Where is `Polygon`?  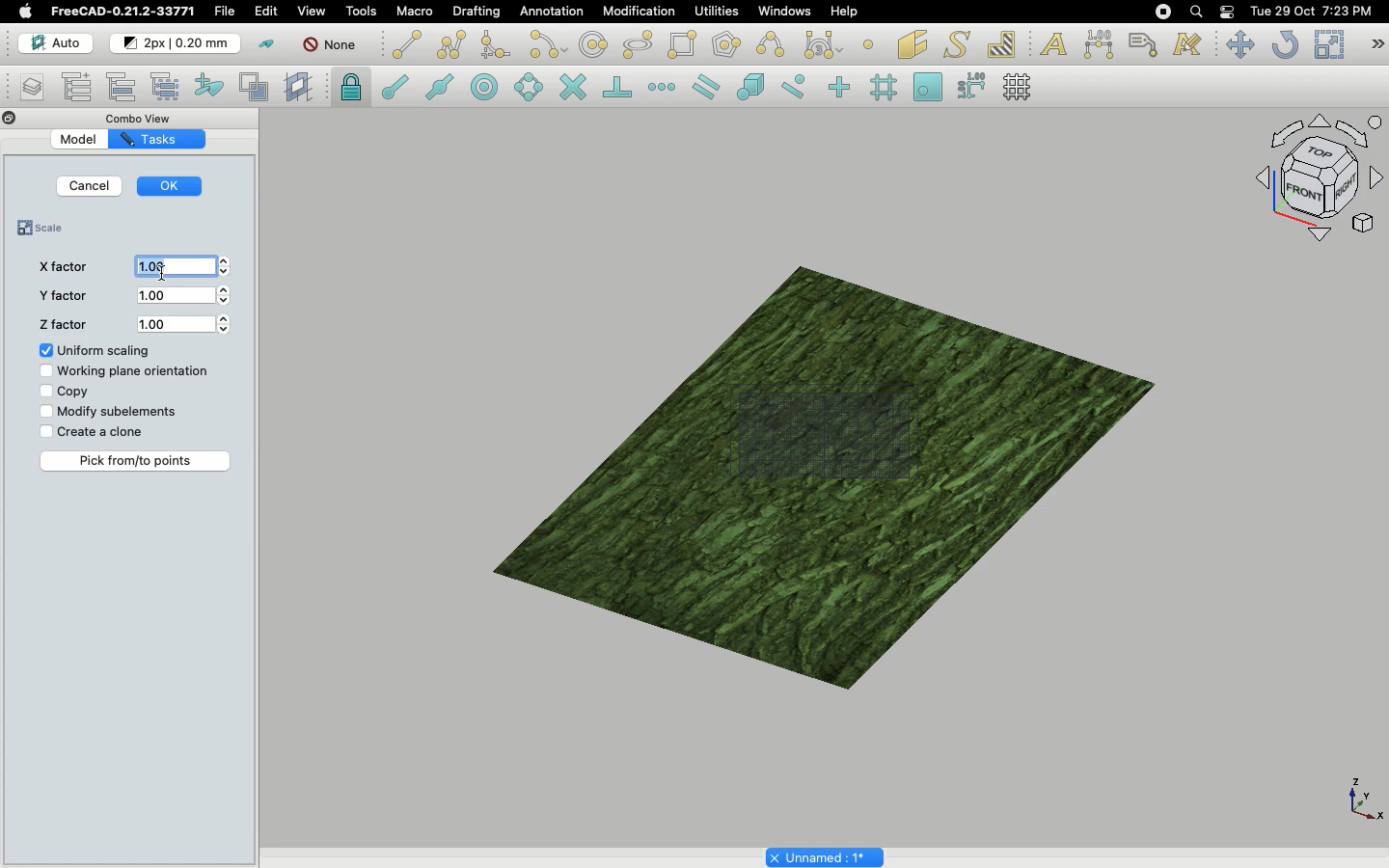 Polygon is located at coordinates (724, 45).